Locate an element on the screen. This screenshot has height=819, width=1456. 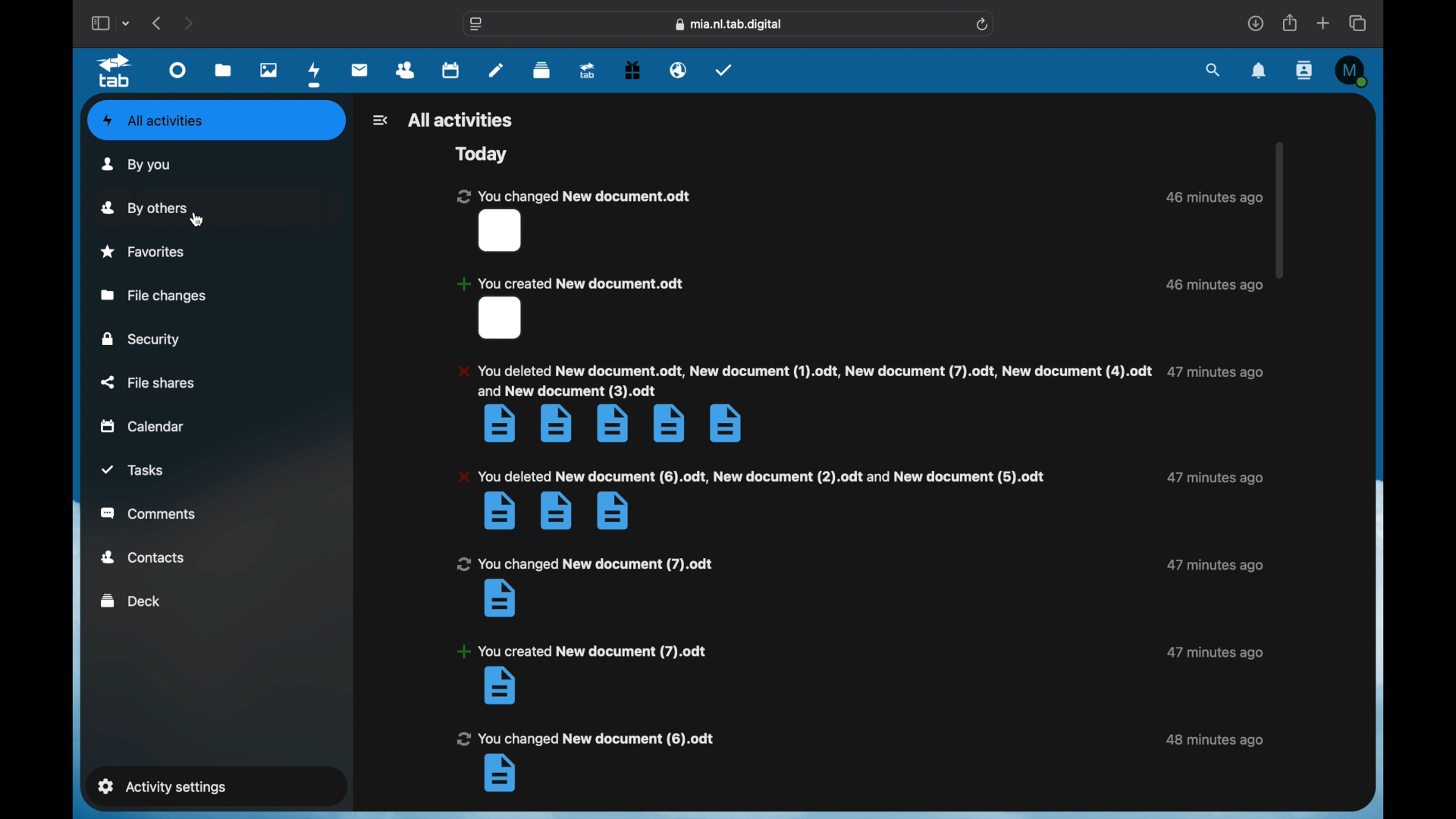
tab is located at coordinates (588, 71).